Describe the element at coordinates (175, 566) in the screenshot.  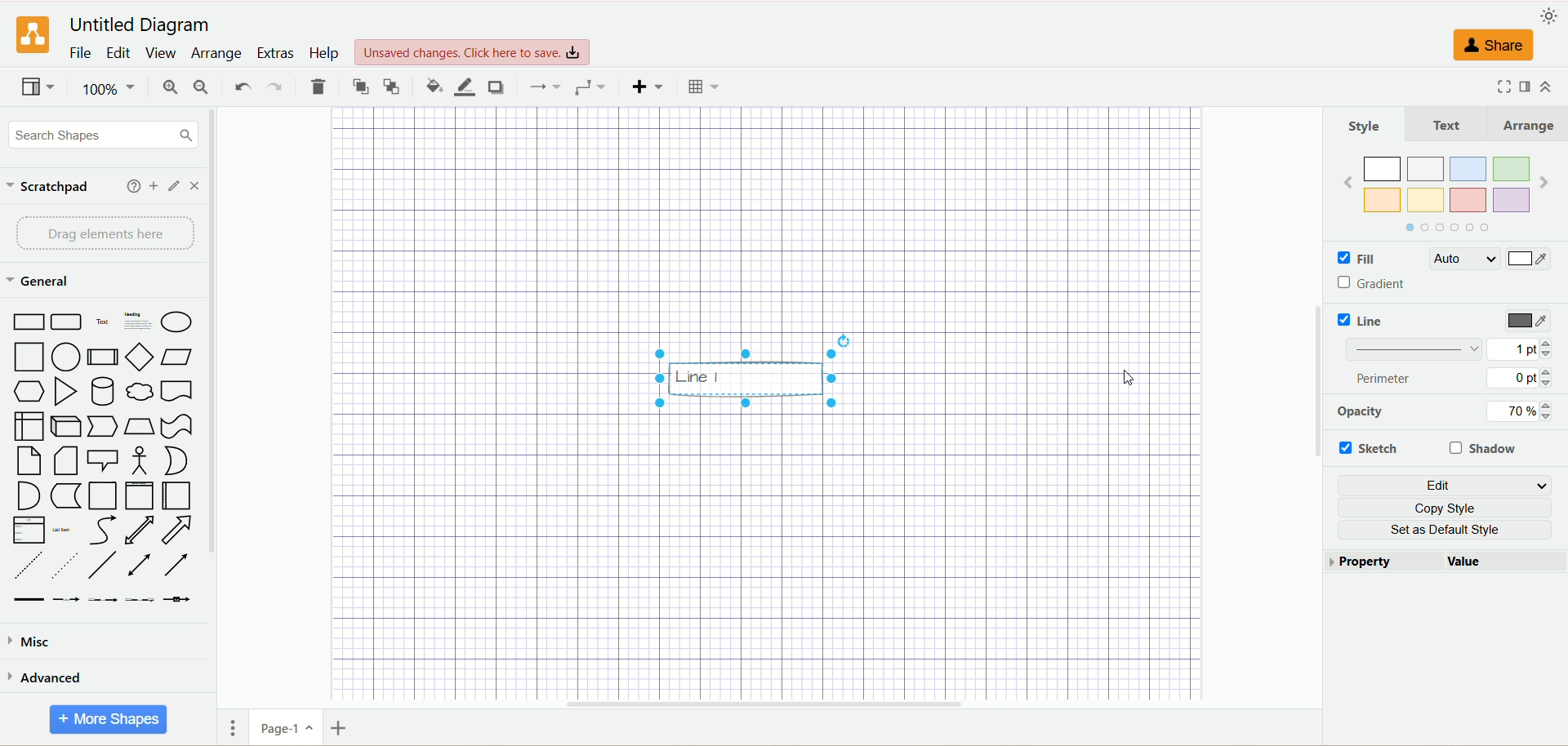
I see `Directional Arrow` at that location.